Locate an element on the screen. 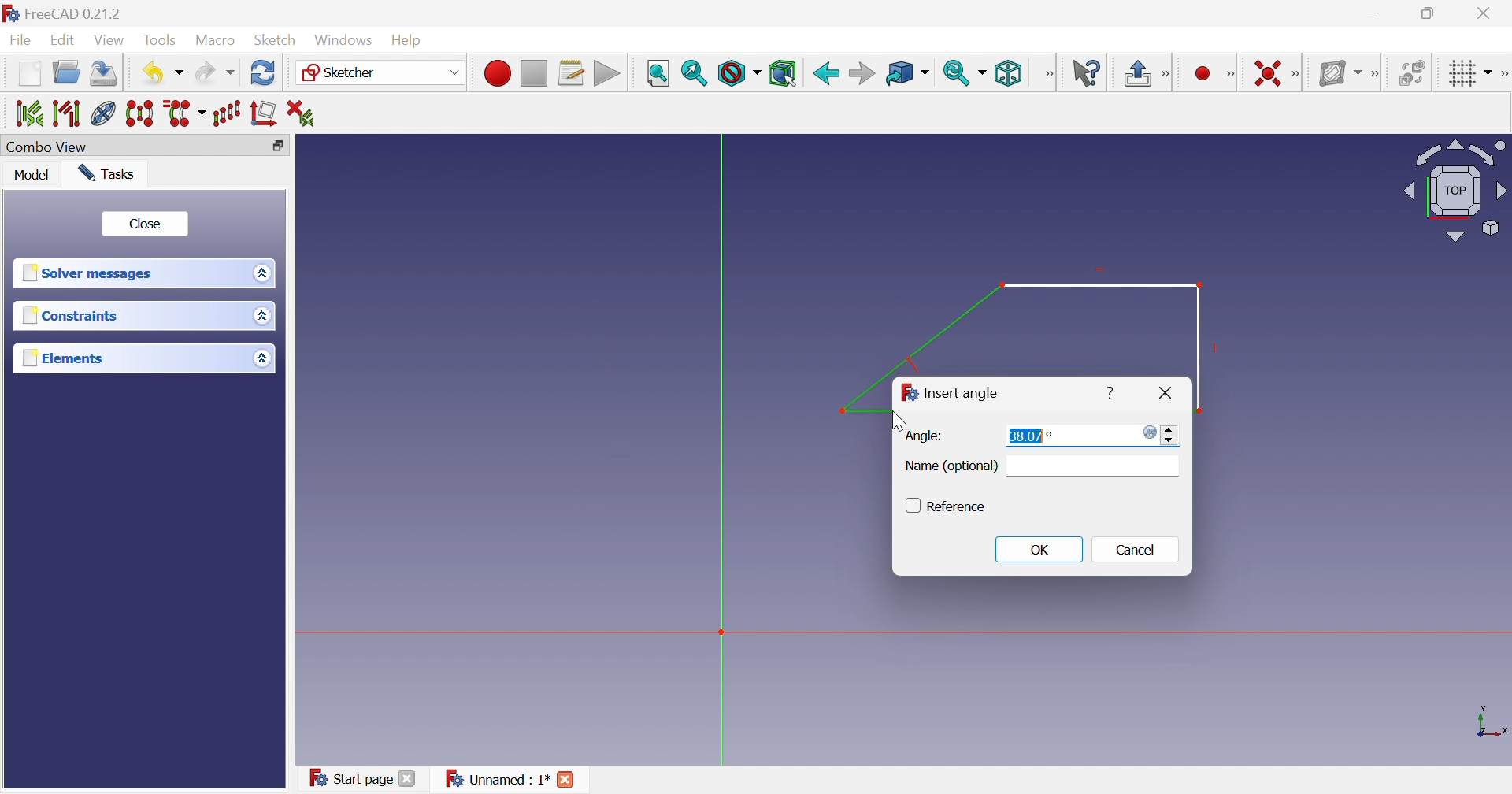 The height and width of the screenshot is (794, 1512). OK is located at coordinates (1040, 550).